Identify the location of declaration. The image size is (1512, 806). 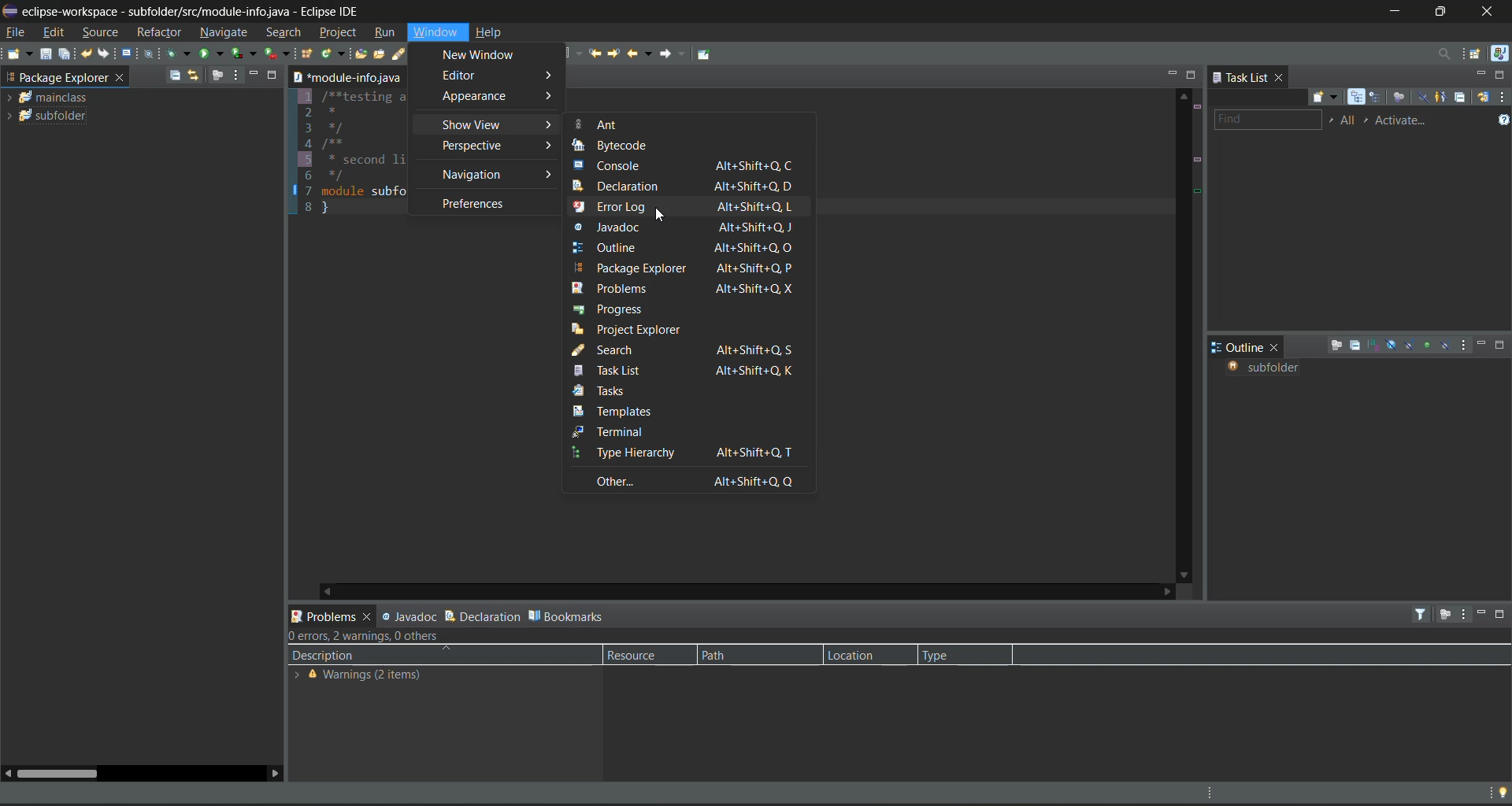
(687, 187).